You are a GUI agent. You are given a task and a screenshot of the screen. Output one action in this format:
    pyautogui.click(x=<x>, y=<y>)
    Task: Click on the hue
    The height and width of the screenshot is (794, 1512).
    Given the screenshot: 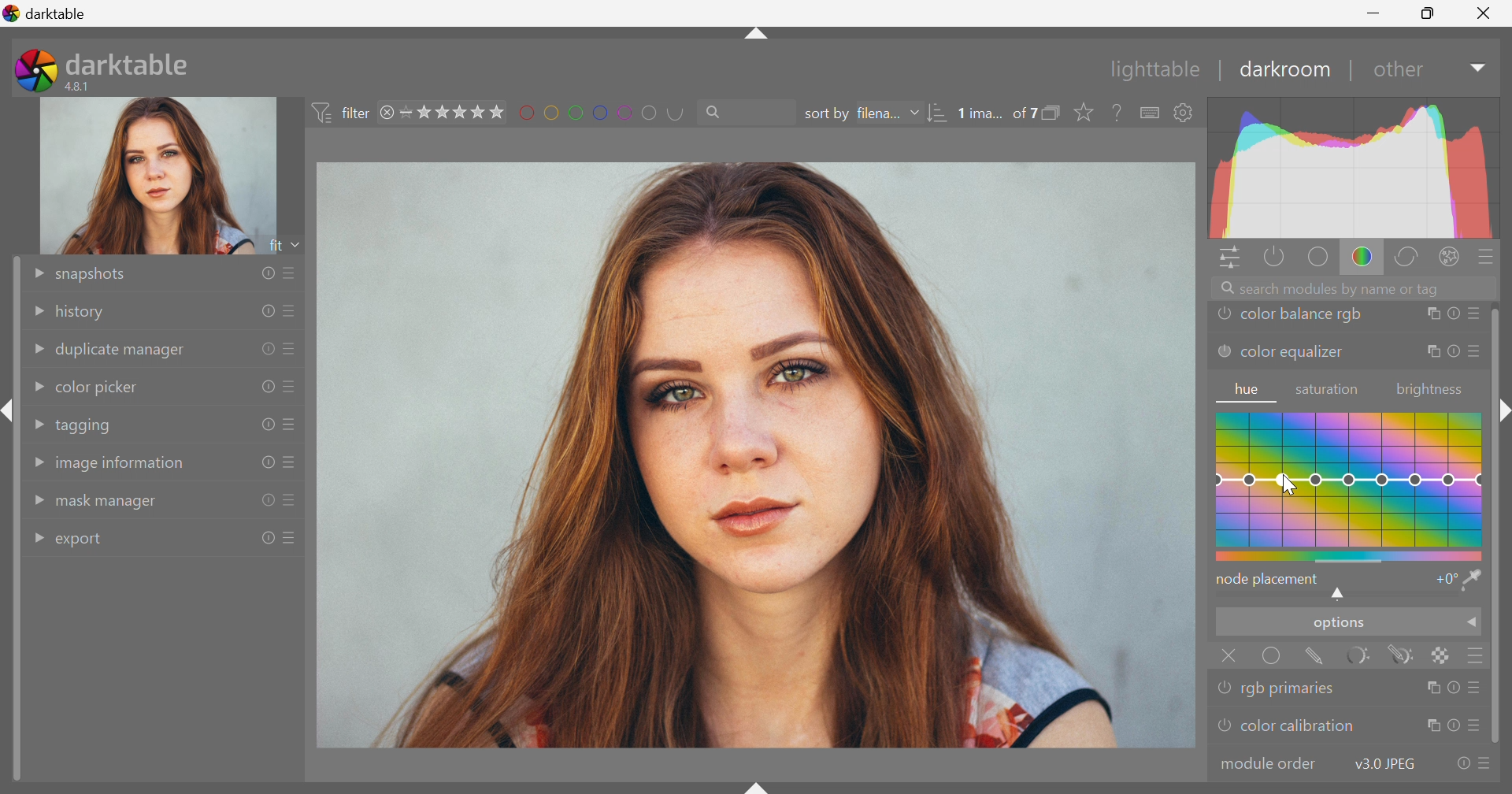 What is the action you would take?
    pyautogui.click(x=1248, y=390)
    